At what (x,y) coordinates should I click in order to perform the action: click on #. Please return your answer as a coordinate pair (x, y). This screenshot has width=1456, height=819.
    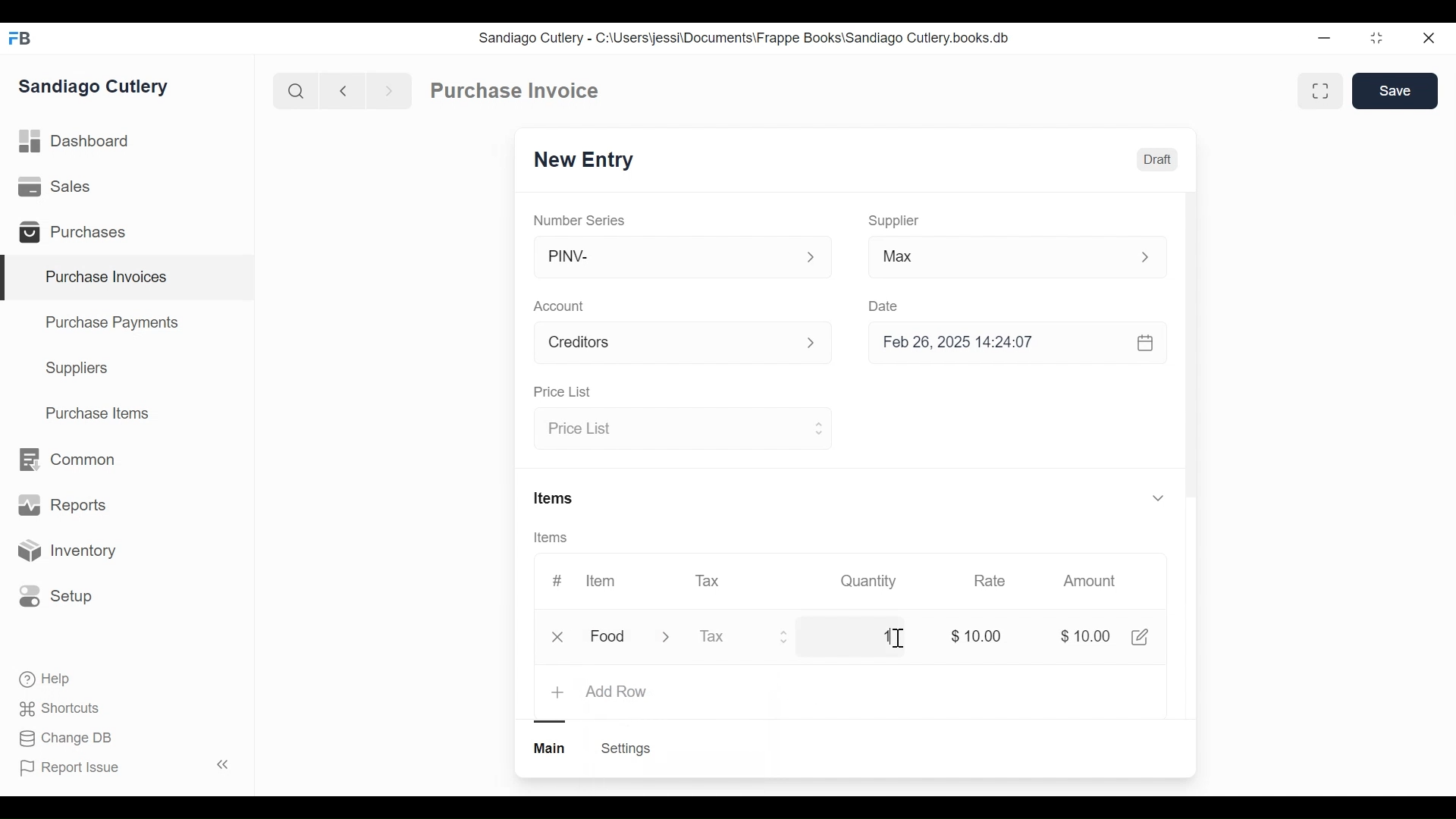
    Looking at the image, I should click on (557, 580).